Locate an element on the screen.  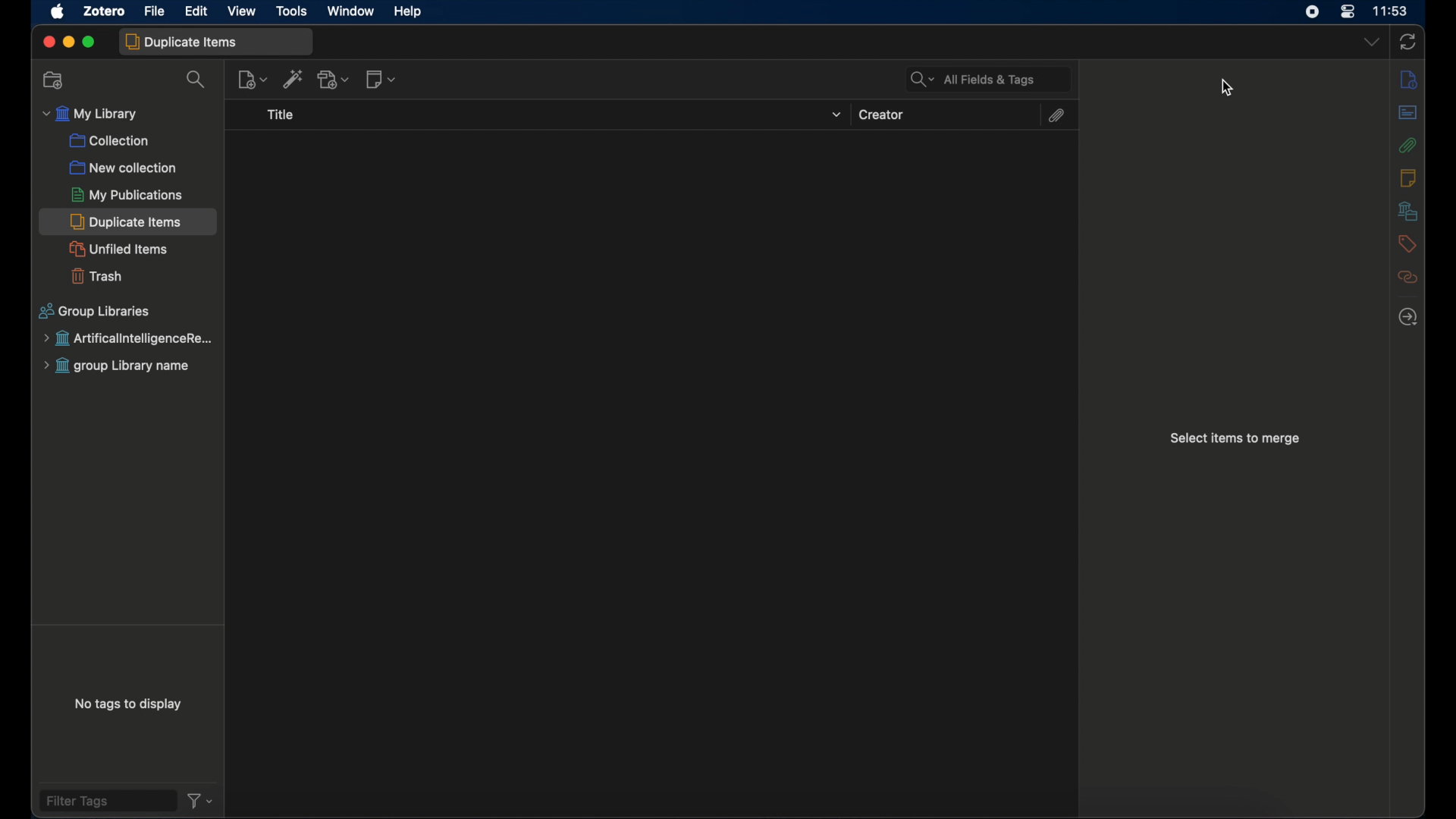
new item is located at coordinates (253, 80).